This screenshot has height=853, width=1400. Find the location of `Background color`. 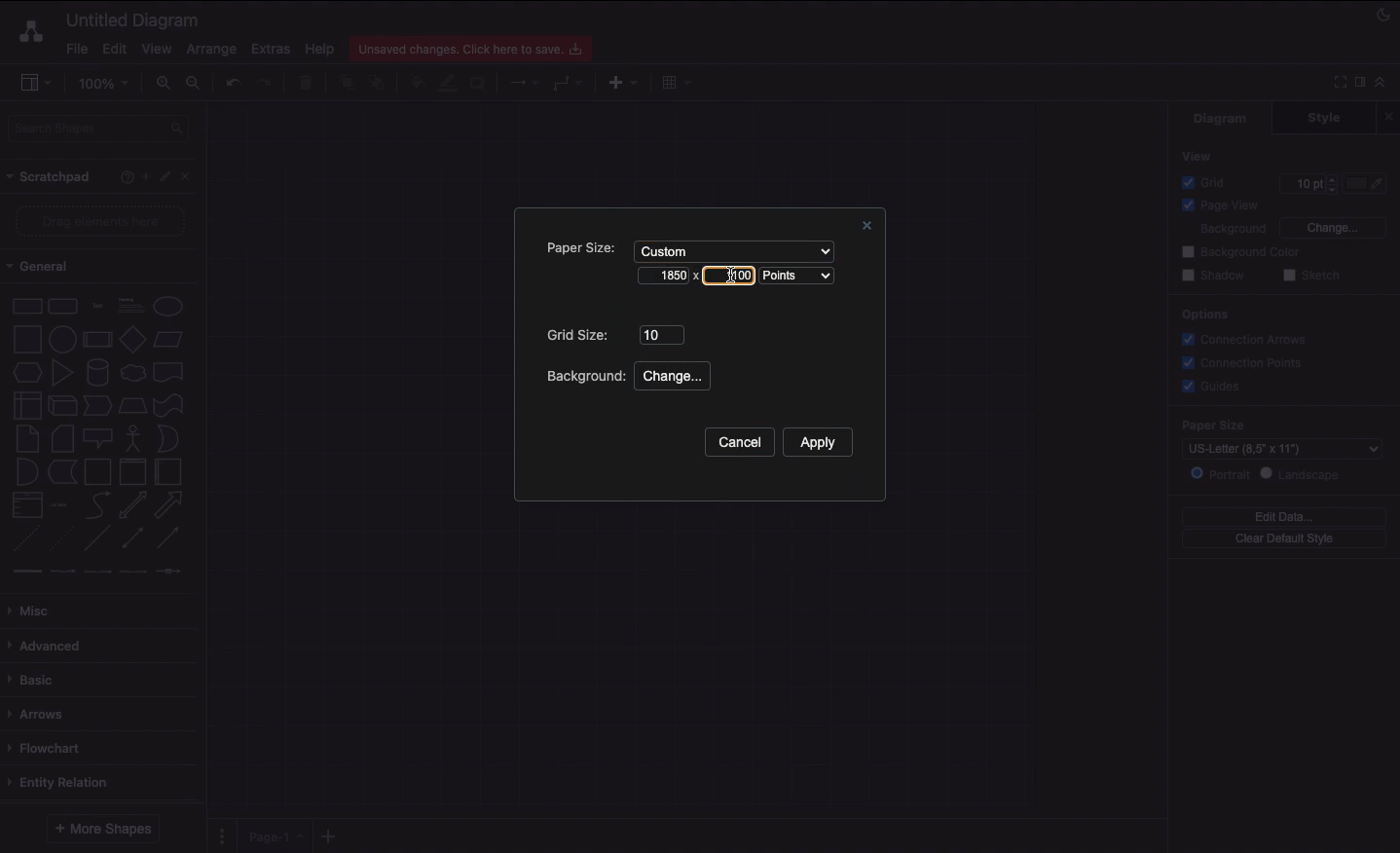

Background color is located at coordinates (1243, 252).